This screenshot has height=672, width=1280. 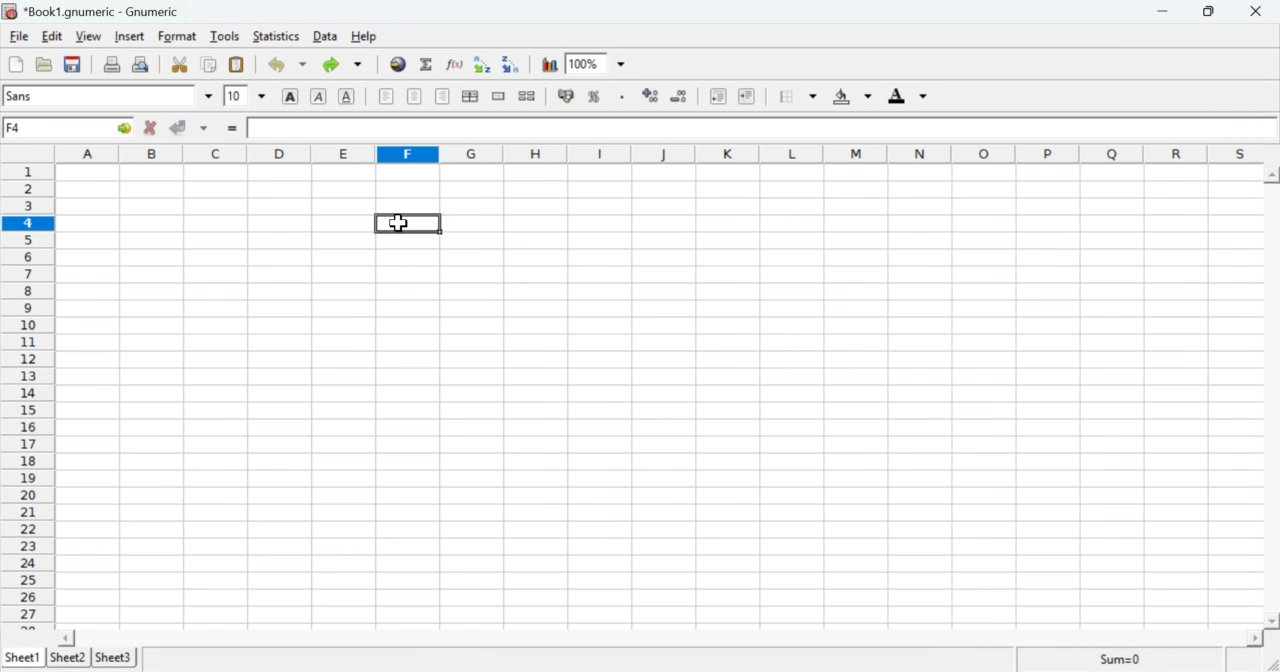 I want to click on Data, so click(x=322, y=36).